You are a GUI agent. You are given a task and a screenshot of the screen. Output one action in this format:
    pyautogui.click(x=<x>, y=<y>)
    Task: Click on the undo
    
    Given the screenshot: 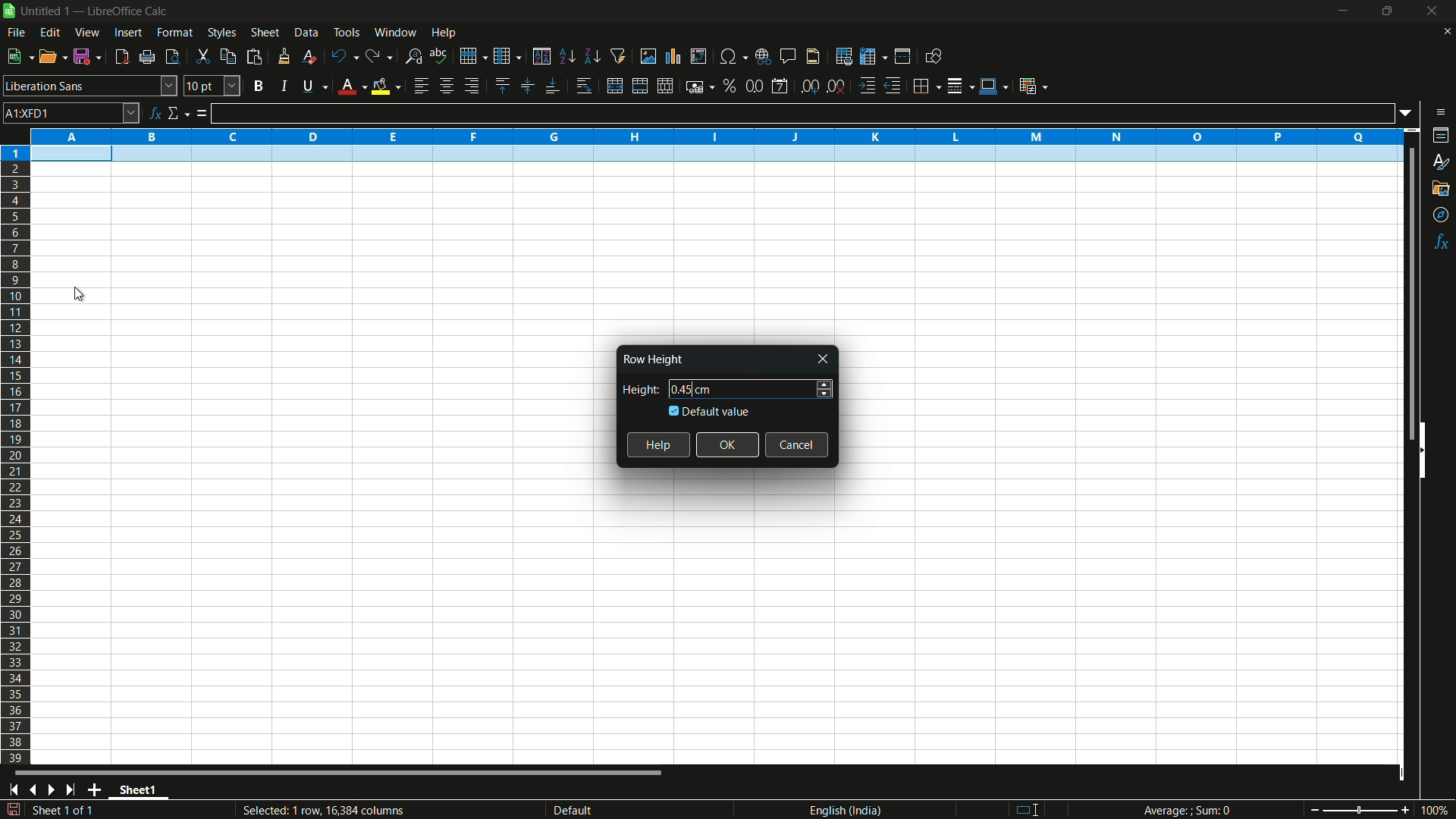 What is the action you would take?
    pyautogui.click(x=341, y=55)
    